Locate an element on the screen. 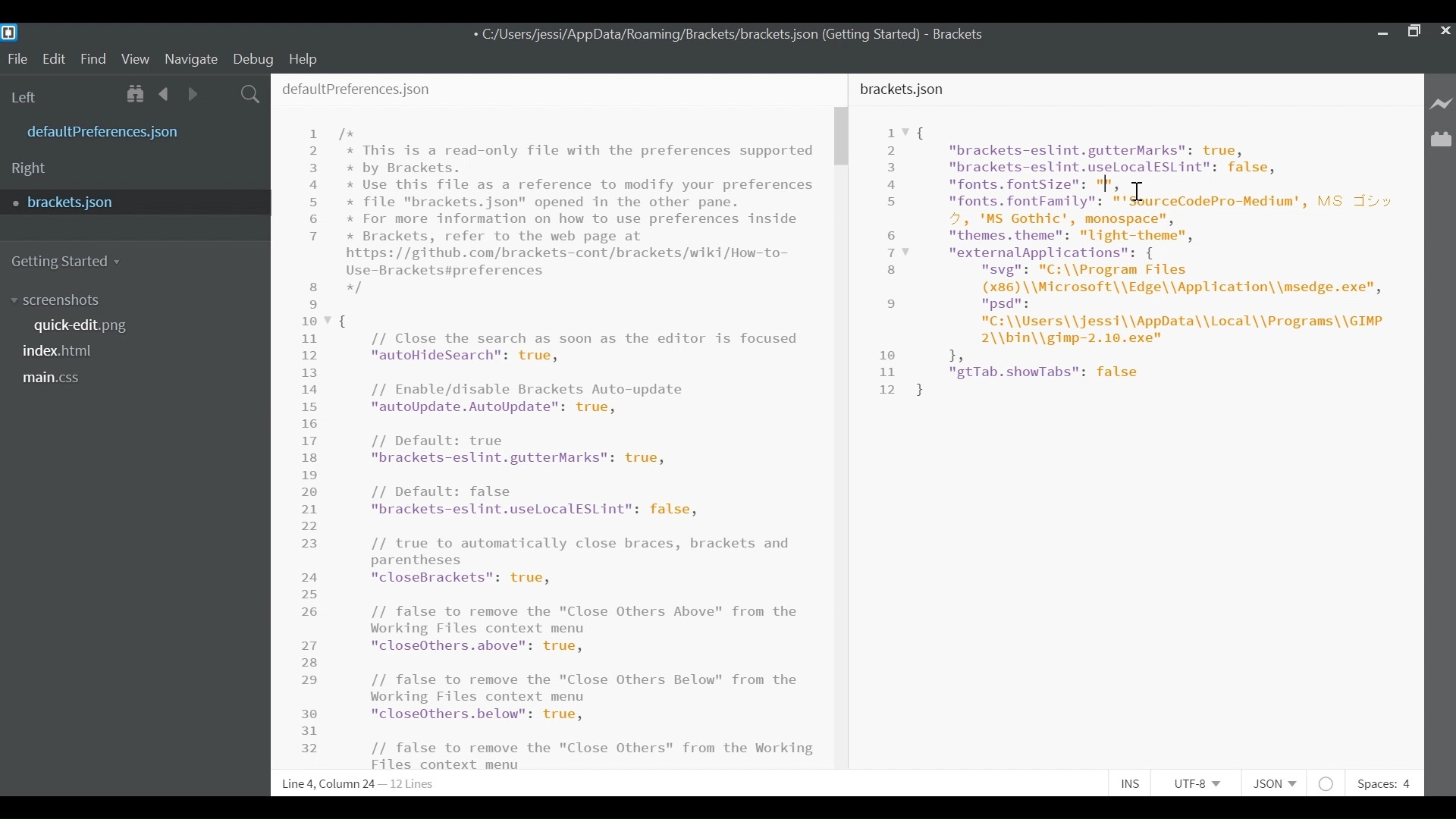  main.css is located at coordinates (57, 379).